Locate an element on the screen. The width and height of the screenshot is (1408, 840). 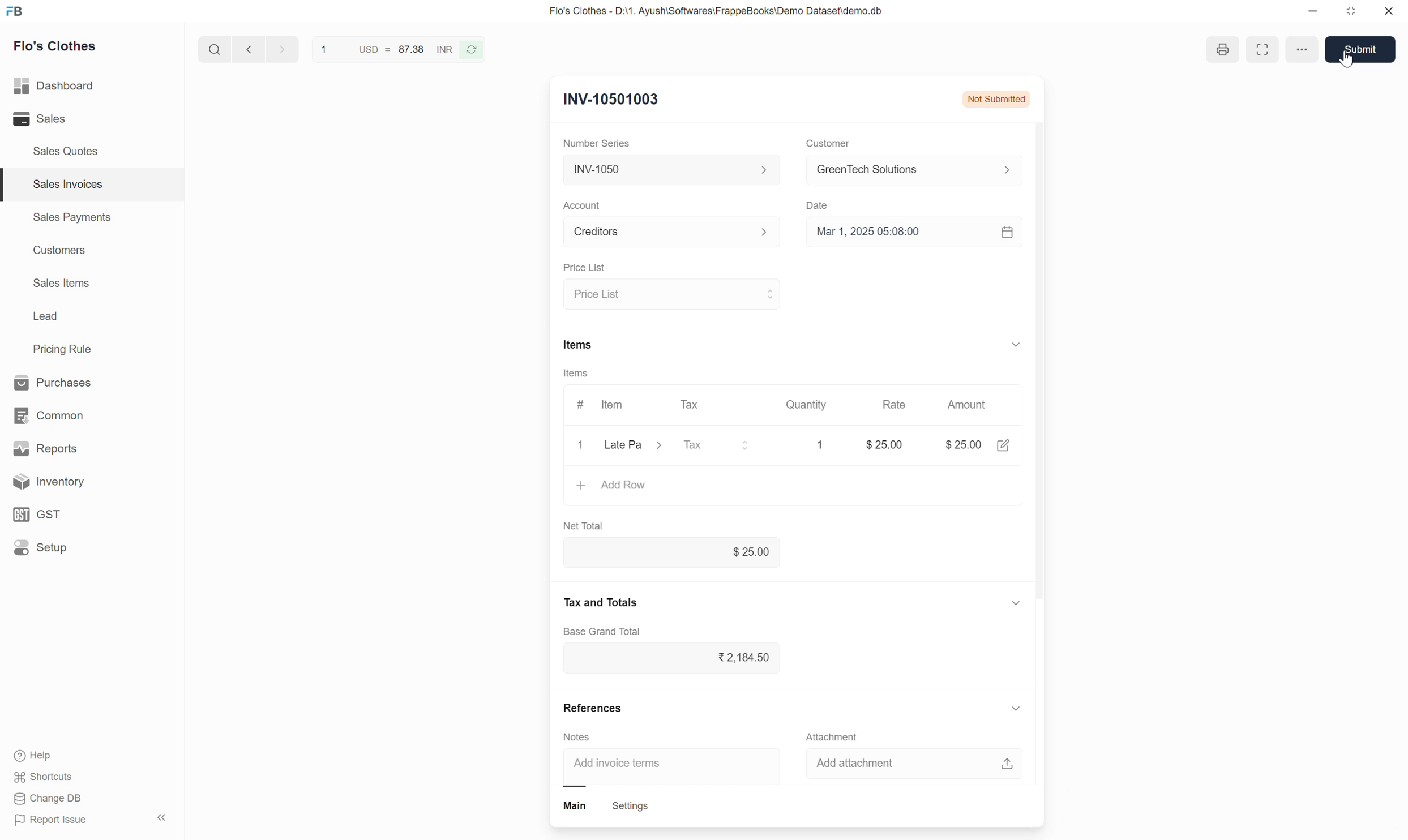
Frappe Book logo is located at coordinates (18, 12).